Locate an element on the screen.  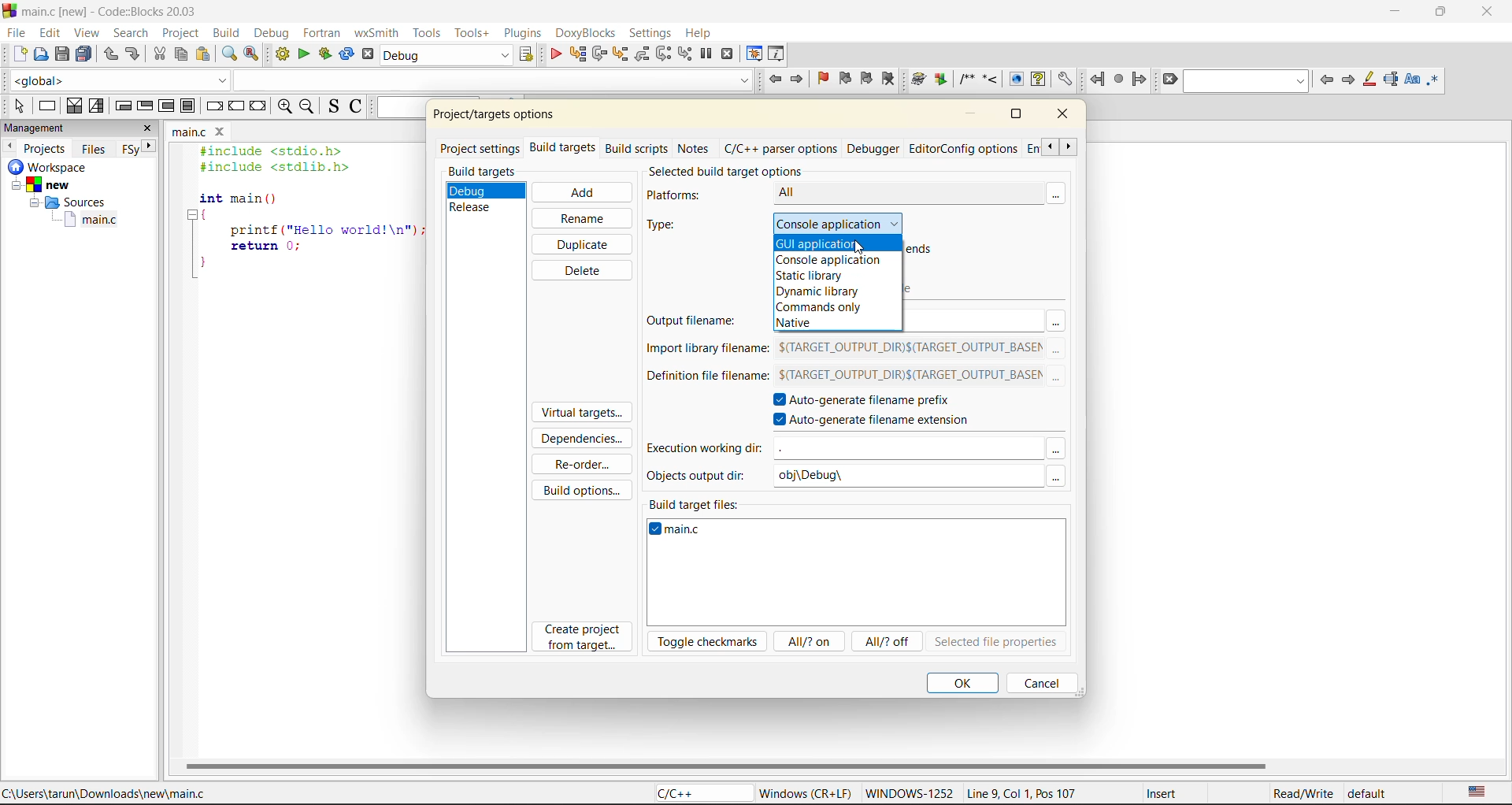
cursor is located at coordinates (864, 250).